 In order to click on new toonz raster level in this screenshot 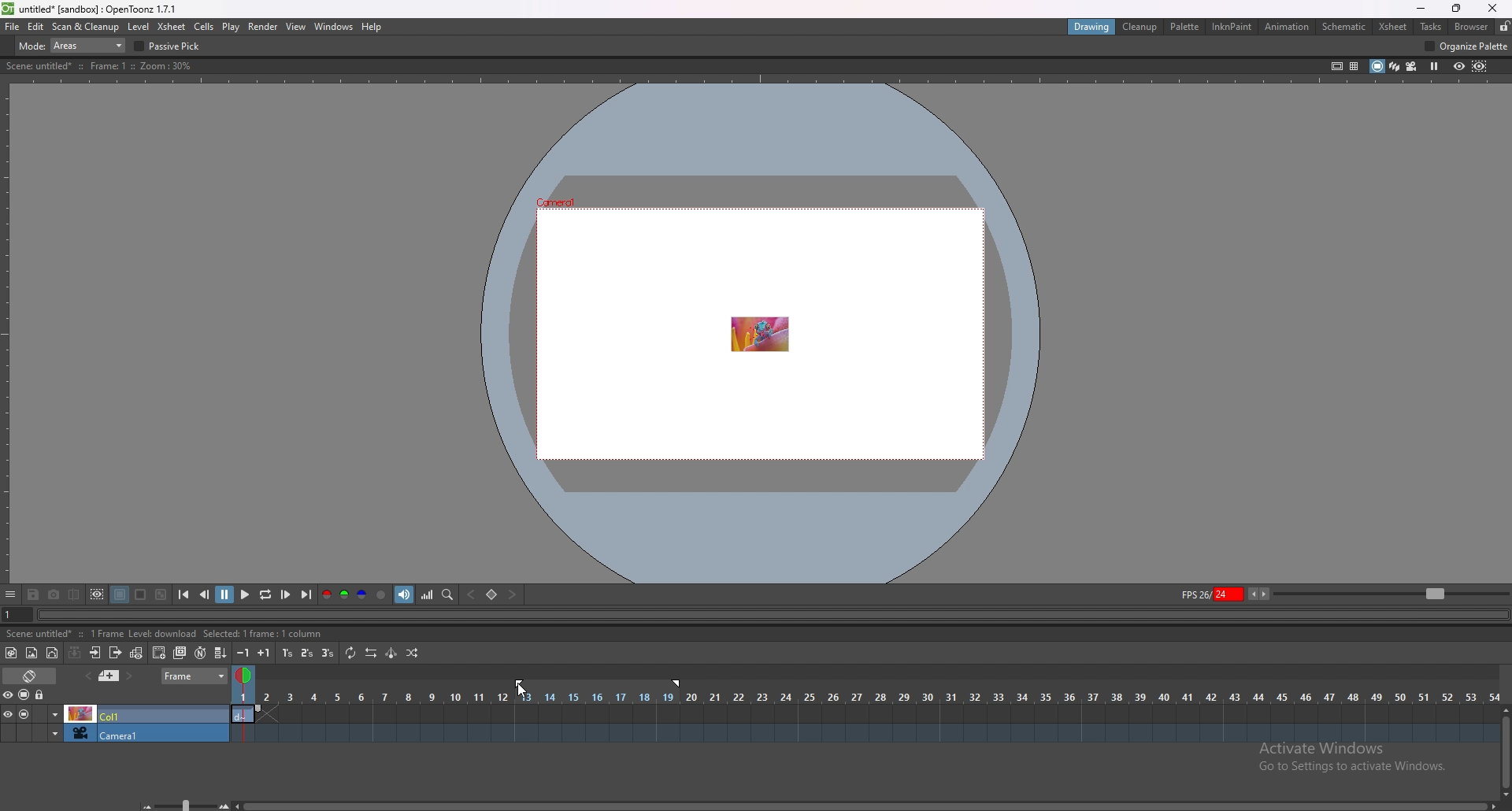, I will do `click(12, 653)`.